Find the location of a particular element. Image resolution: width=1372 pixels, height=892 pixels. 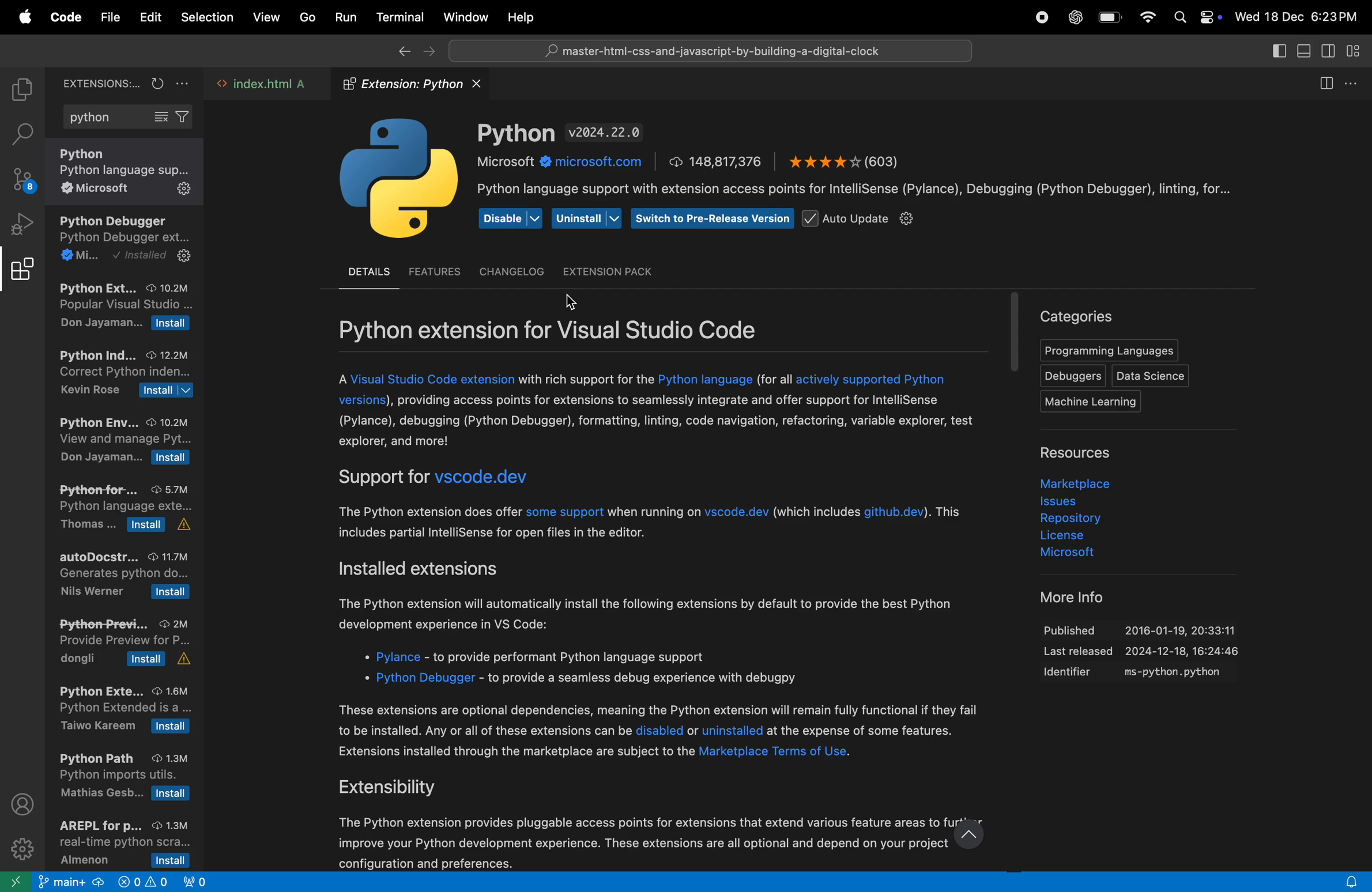

uninstall is located at coordinates (587, 217).